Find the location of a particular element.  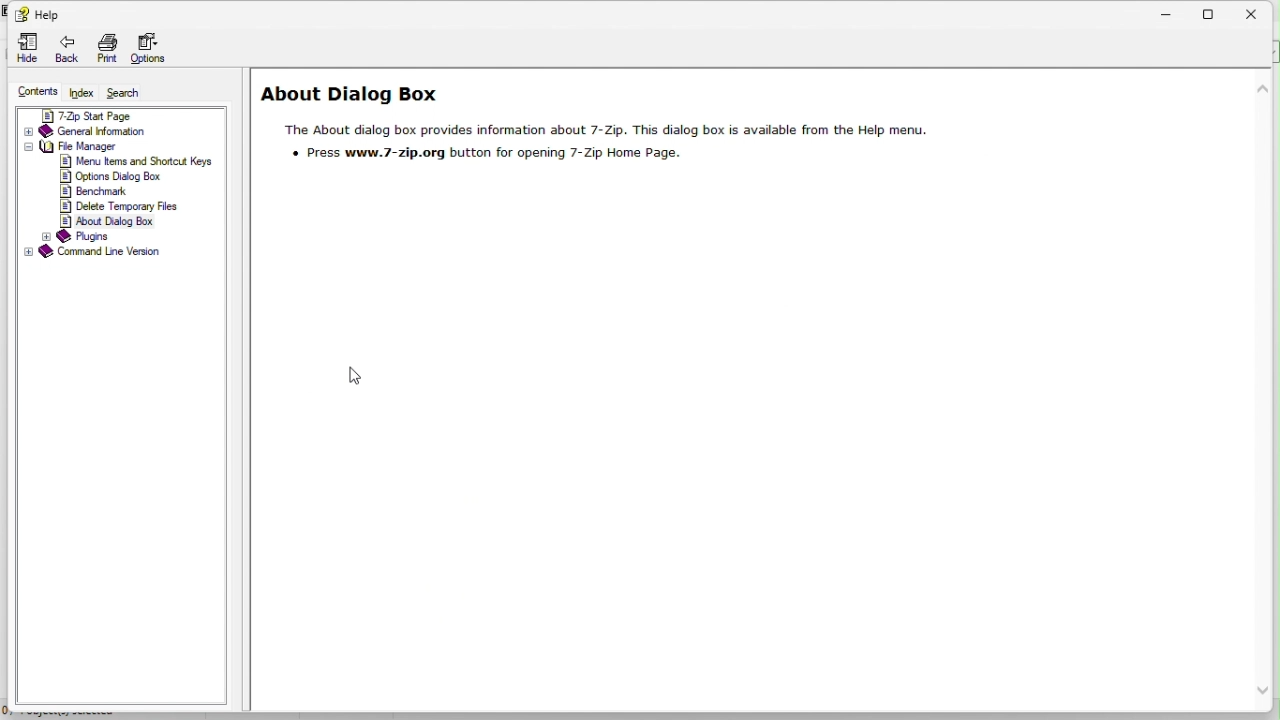

scroll bar is located at coordinates (1268, 393).